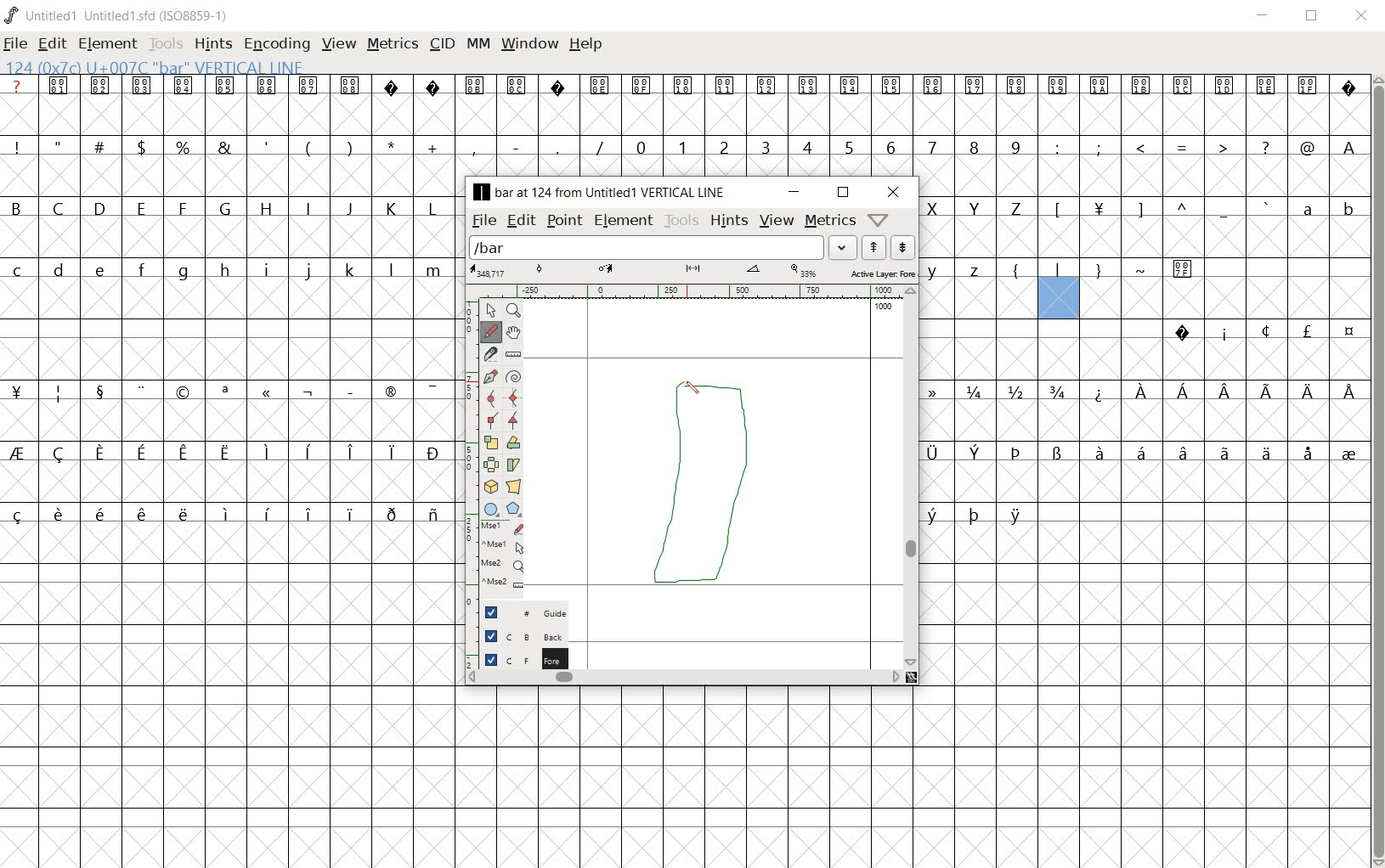 This screenshot has width=1385, height=868. What do you see at coordinates (478, 42) in the screenshot?
I see `mm` at bounding box center [478, 42].